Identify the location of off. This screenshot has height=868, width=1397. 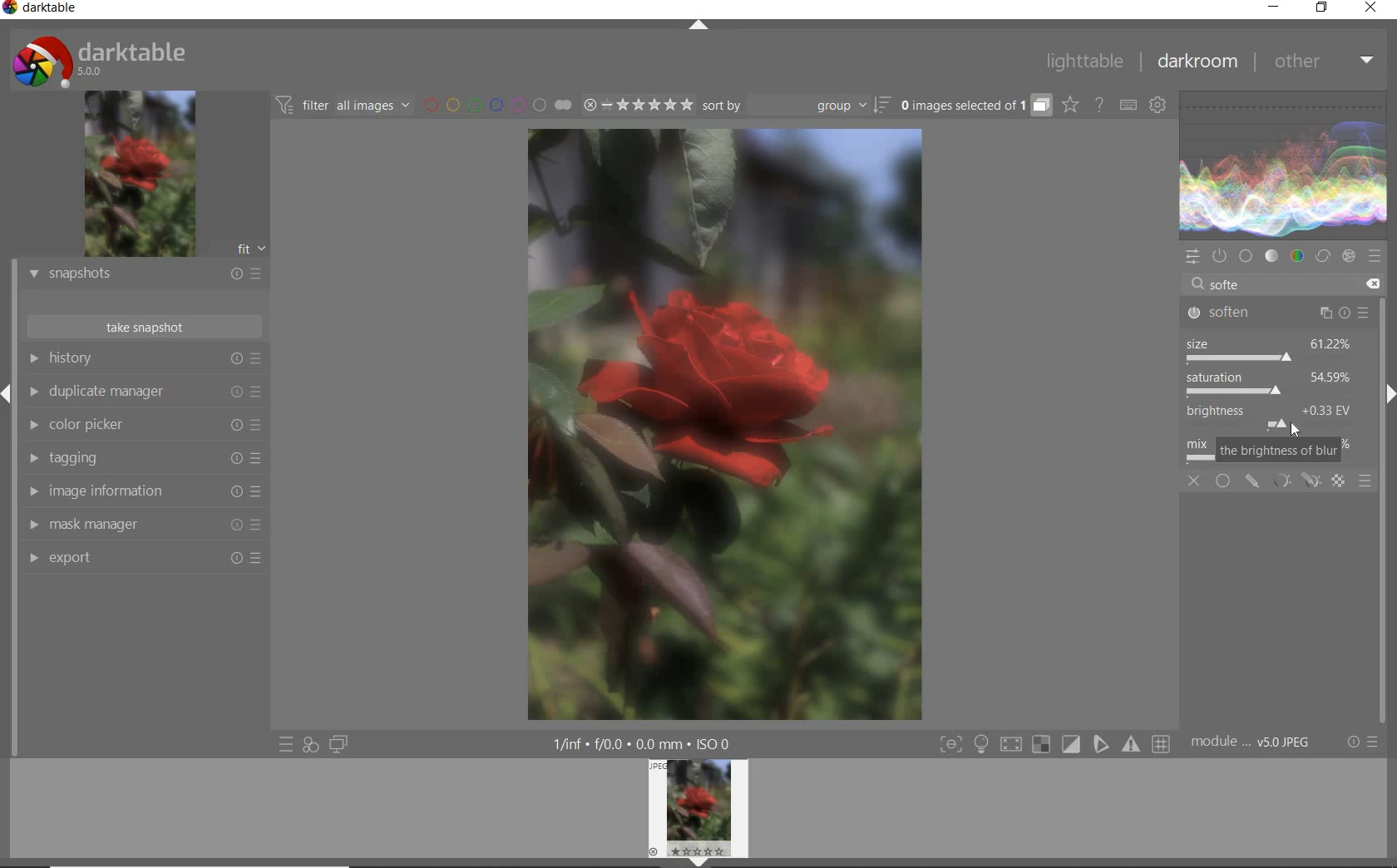
(1194, 481).